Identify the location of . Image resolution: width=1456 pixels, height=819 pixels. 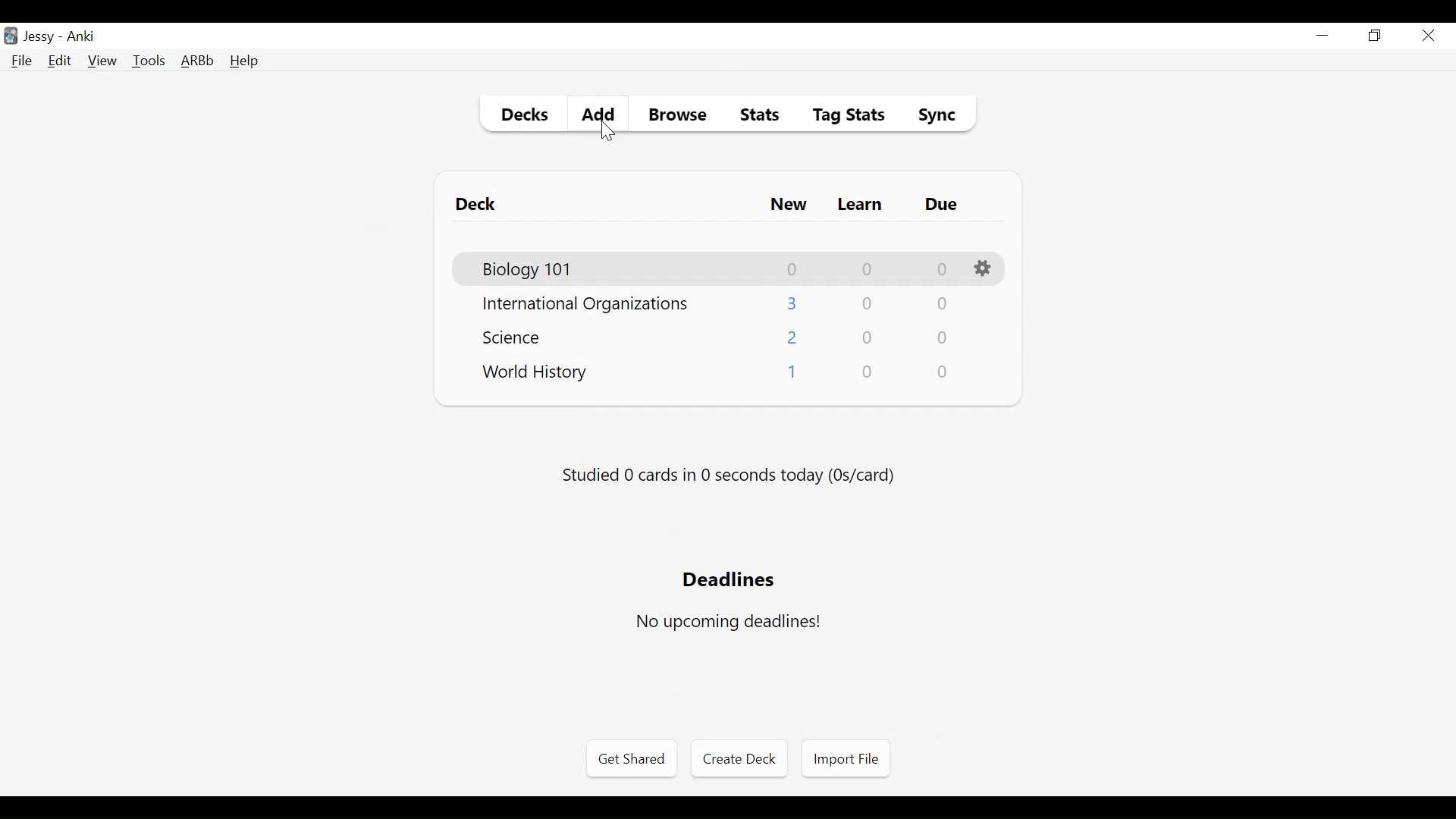
(868, 372).